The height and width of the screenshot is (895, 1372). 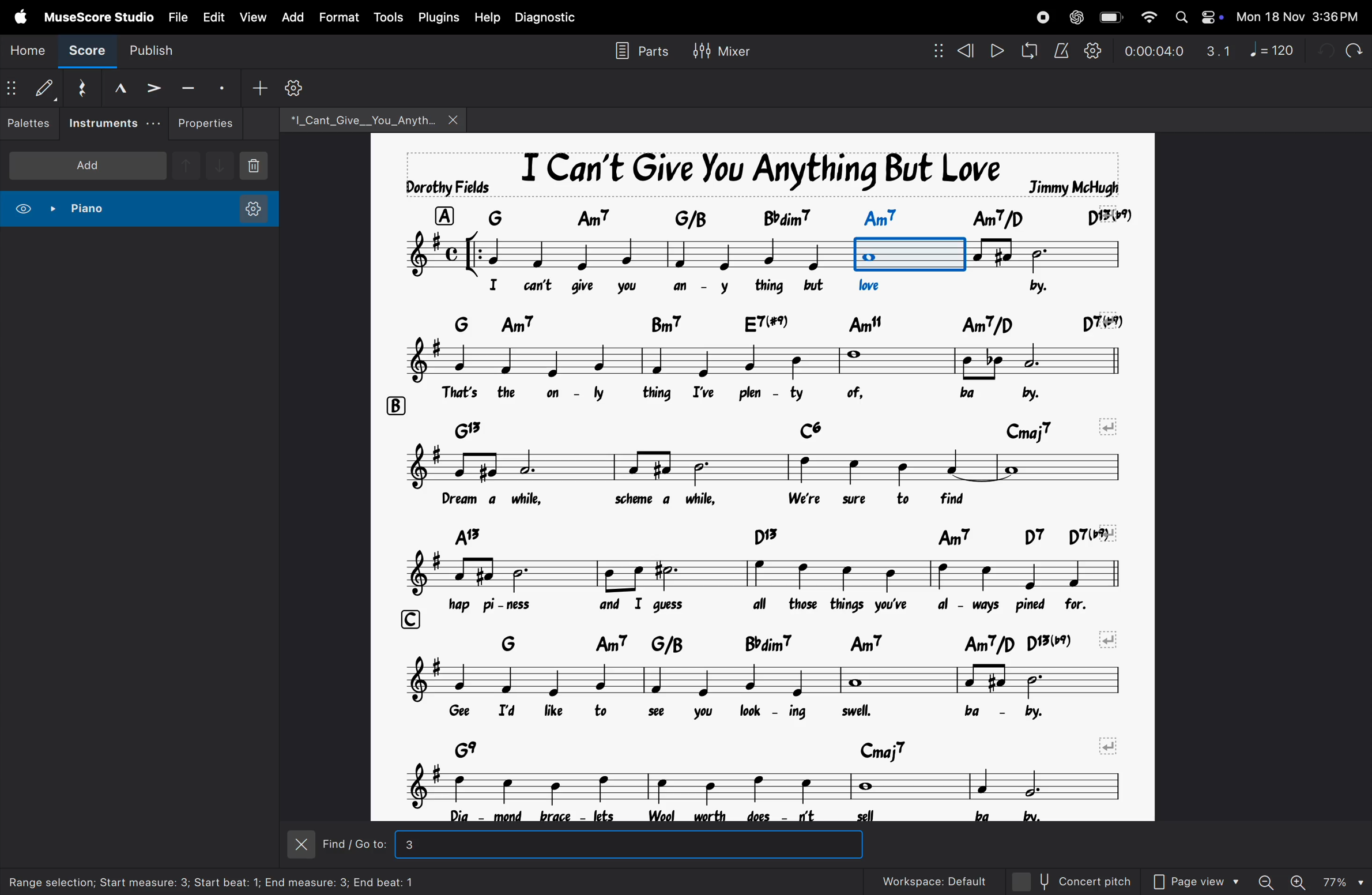 What do you see at coordinates (756, 396) in the screenshot?
I see `lyrics` at bounding box center [756, 396].